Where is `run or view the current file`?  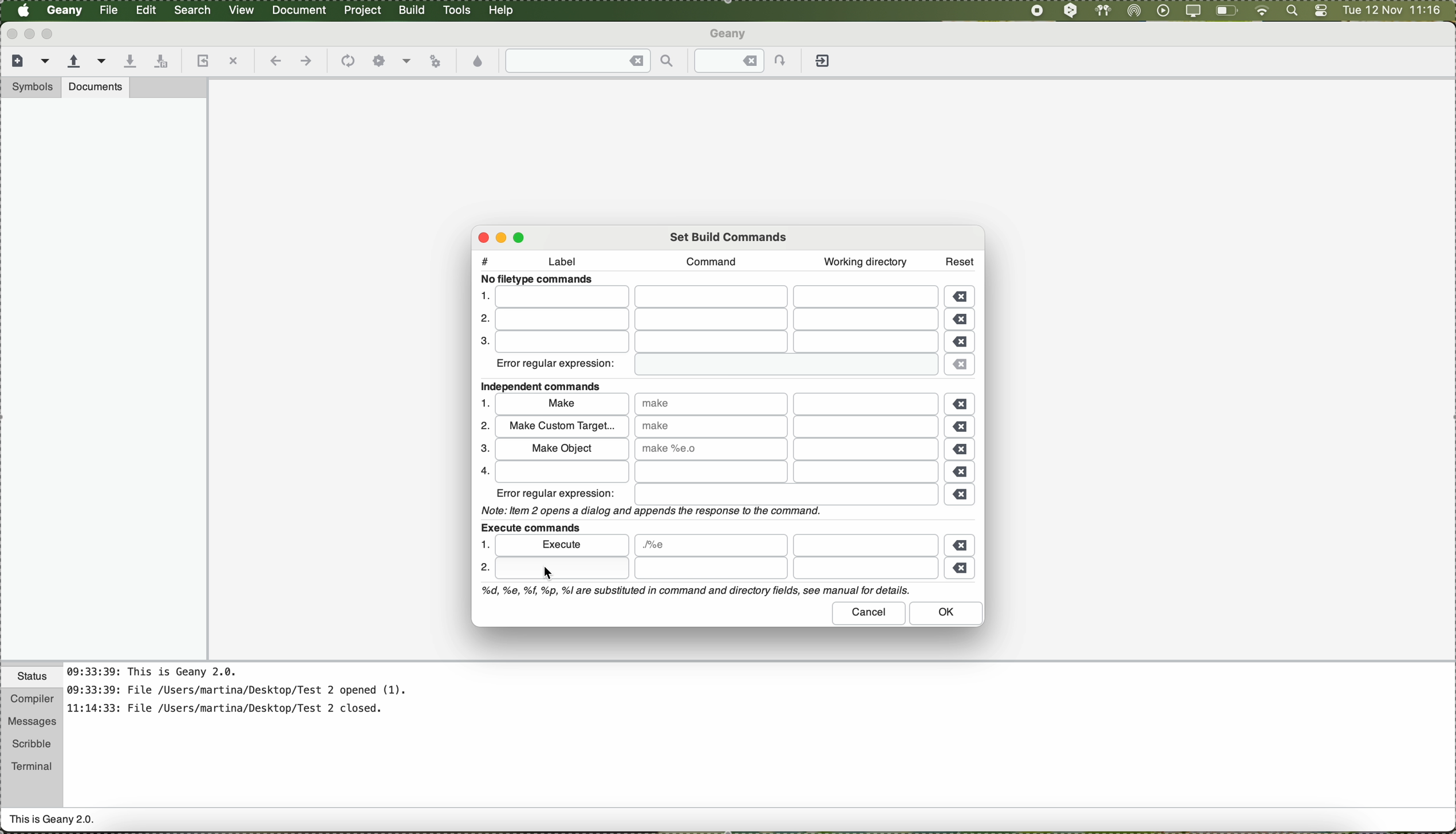
run or view the current file is located at coordinates (435, 60).